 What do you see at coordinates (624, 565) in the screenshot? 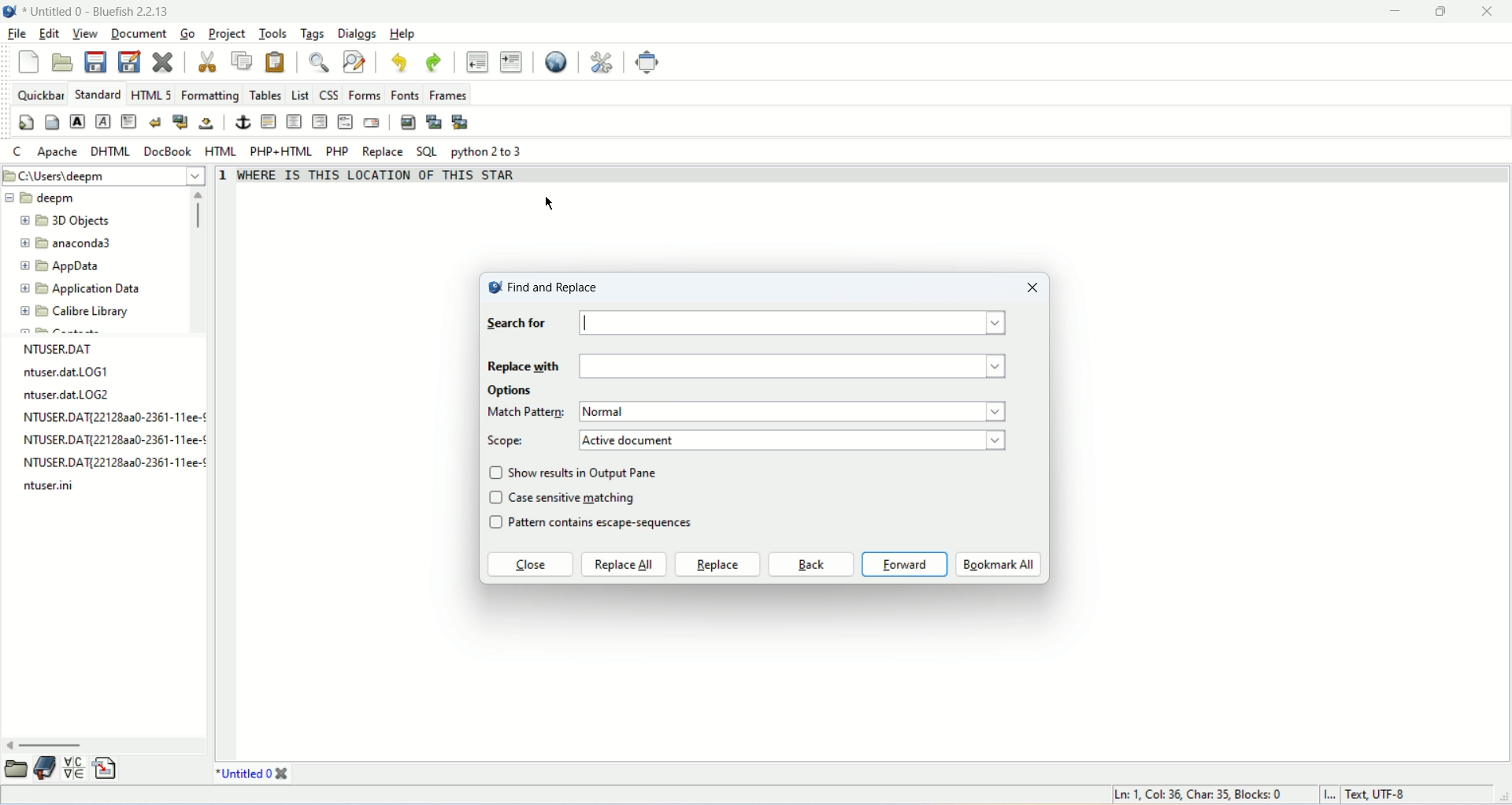
I see `replace all` at bounding box center [624, 565].